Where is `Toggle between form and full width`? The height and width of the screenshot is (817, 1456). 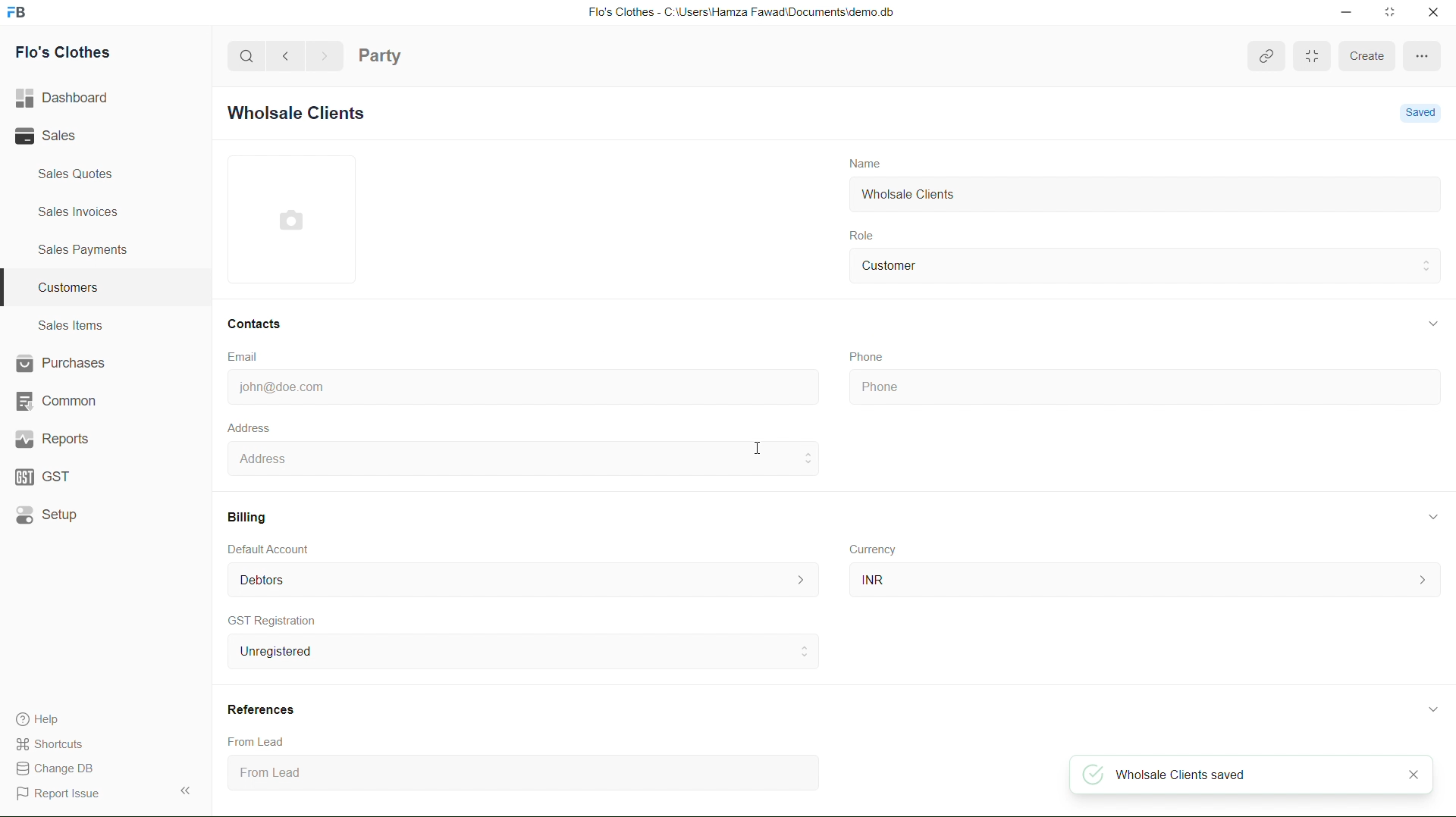 Toggle between form and full width is located at coordinates (1311, 57).